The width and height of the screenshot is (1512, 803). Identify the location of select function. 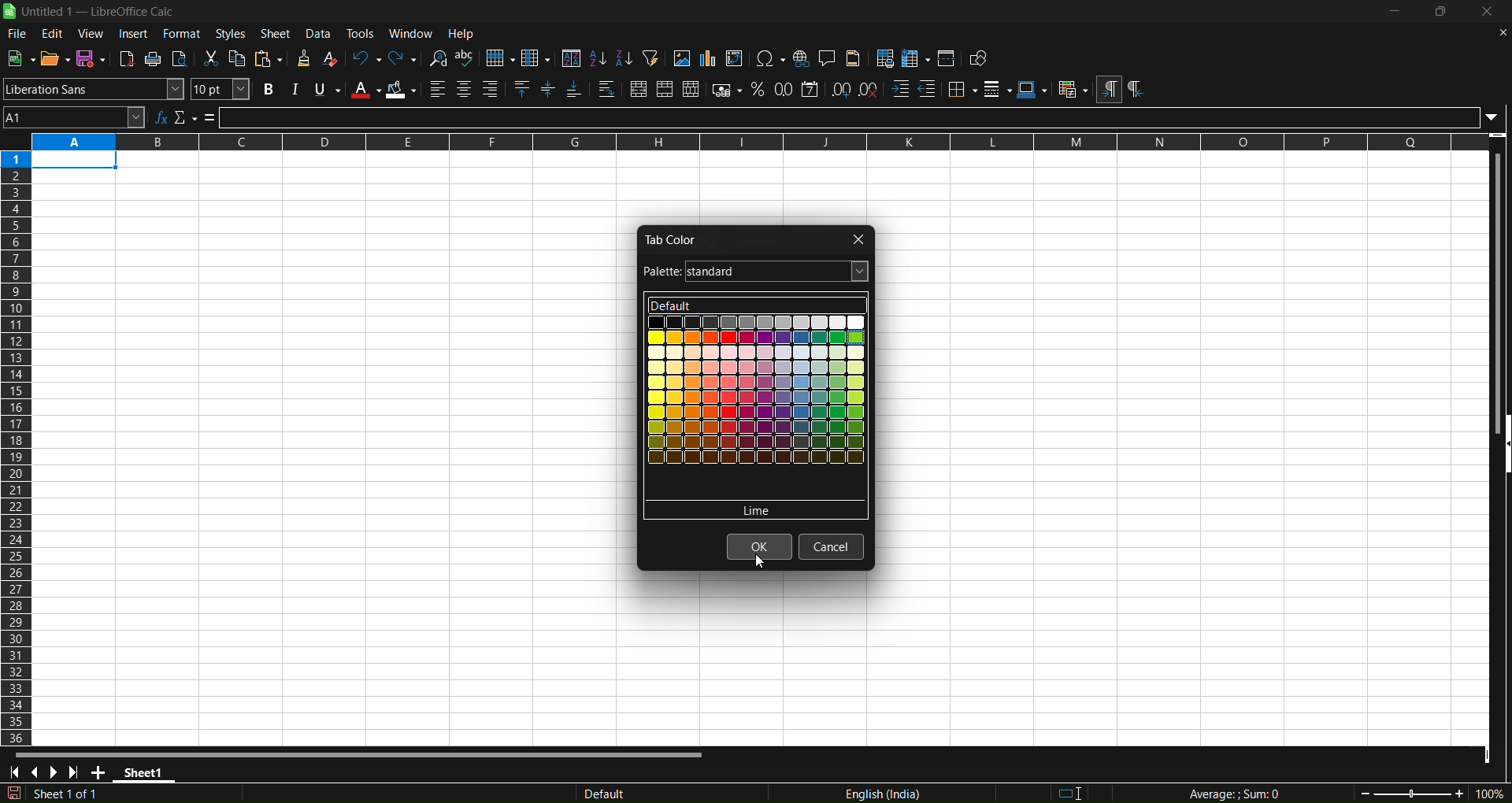
(185, 117).